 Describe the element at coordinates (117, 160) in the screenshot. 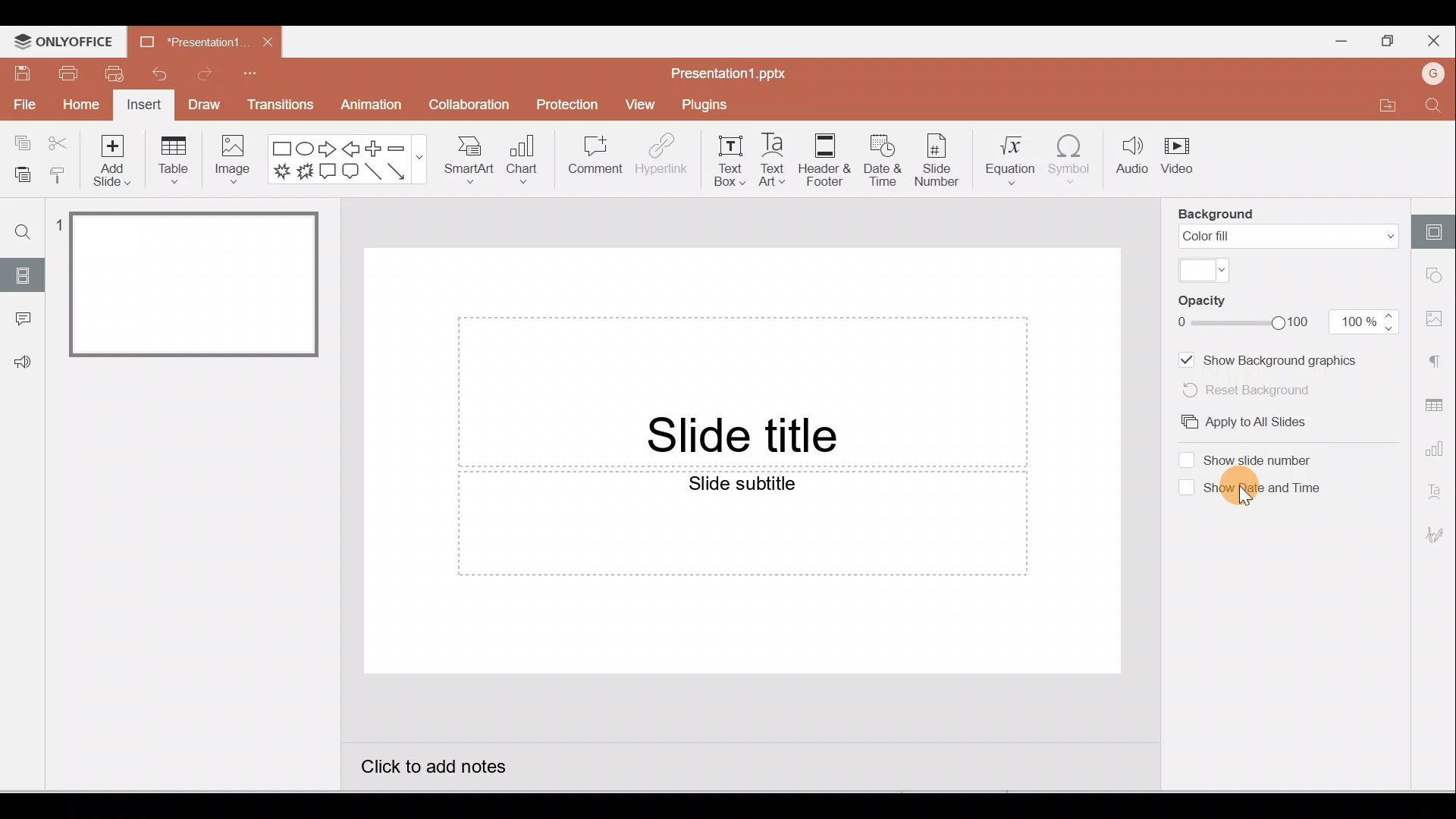

I see `Add slide` at that location.